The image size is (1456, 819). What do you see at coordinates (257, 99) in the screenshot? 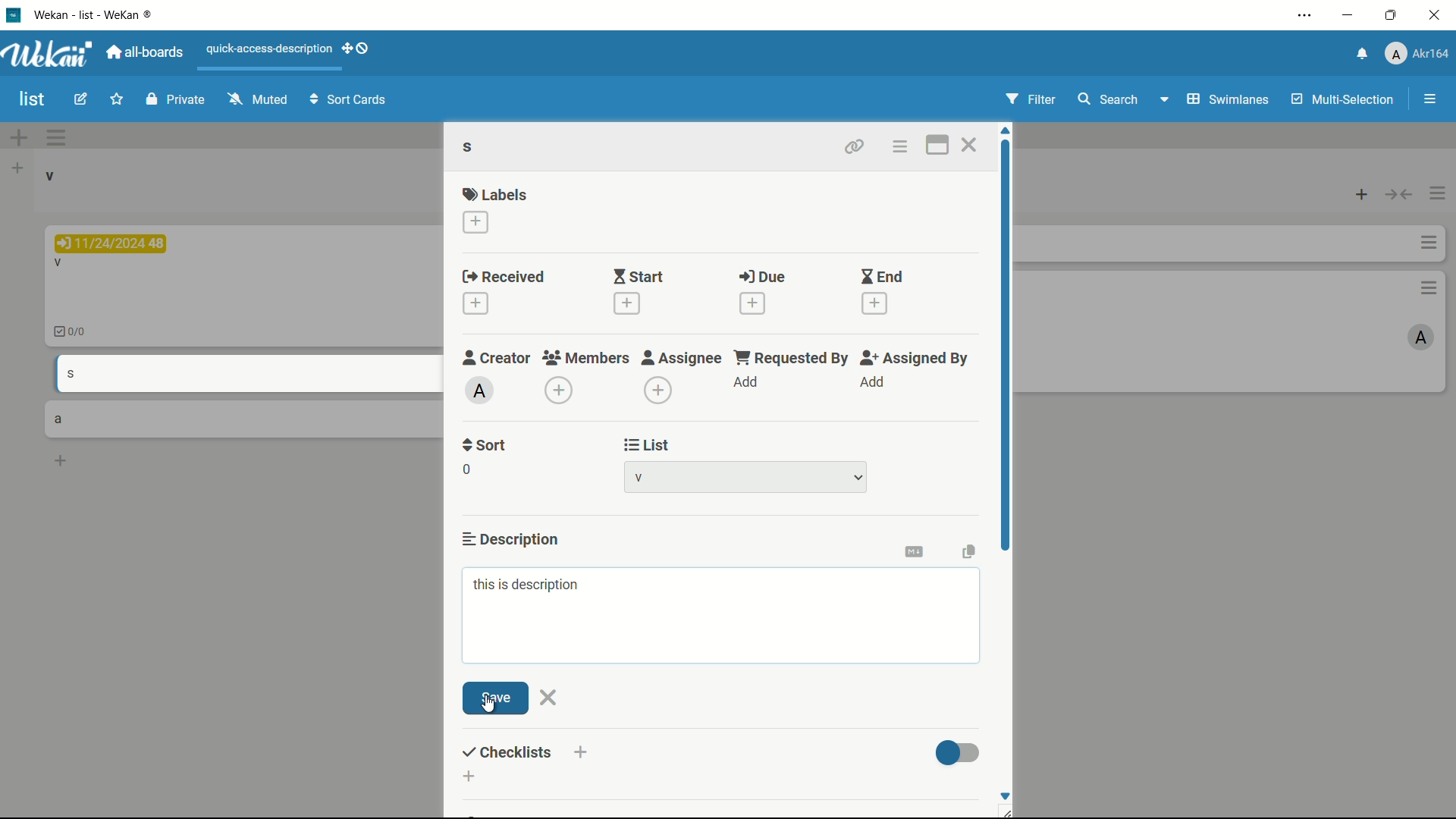
I see `muted` at bounding box center [257, 99].